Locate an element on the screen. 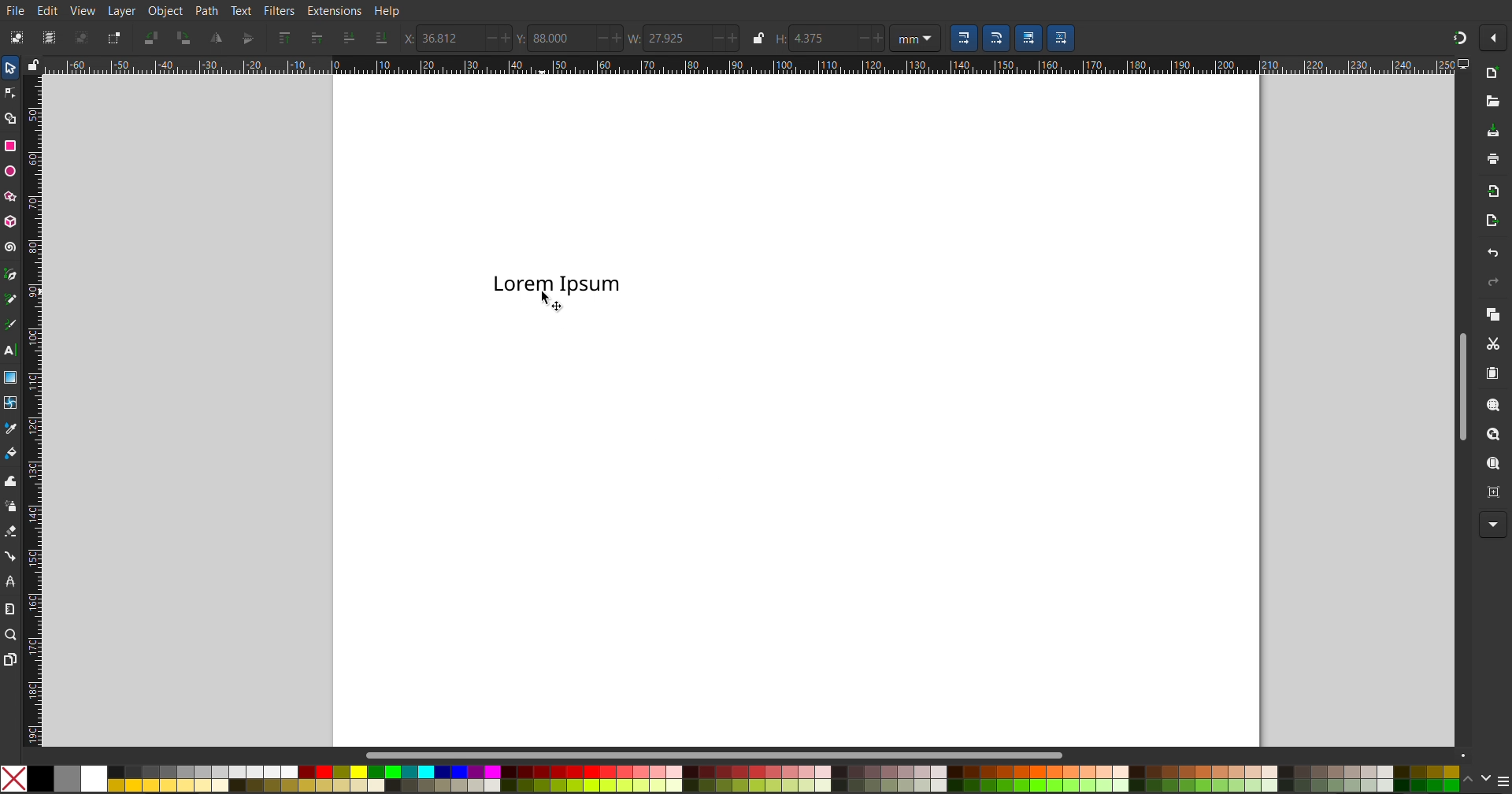  Ellipse is located at coordinates (11, 171).